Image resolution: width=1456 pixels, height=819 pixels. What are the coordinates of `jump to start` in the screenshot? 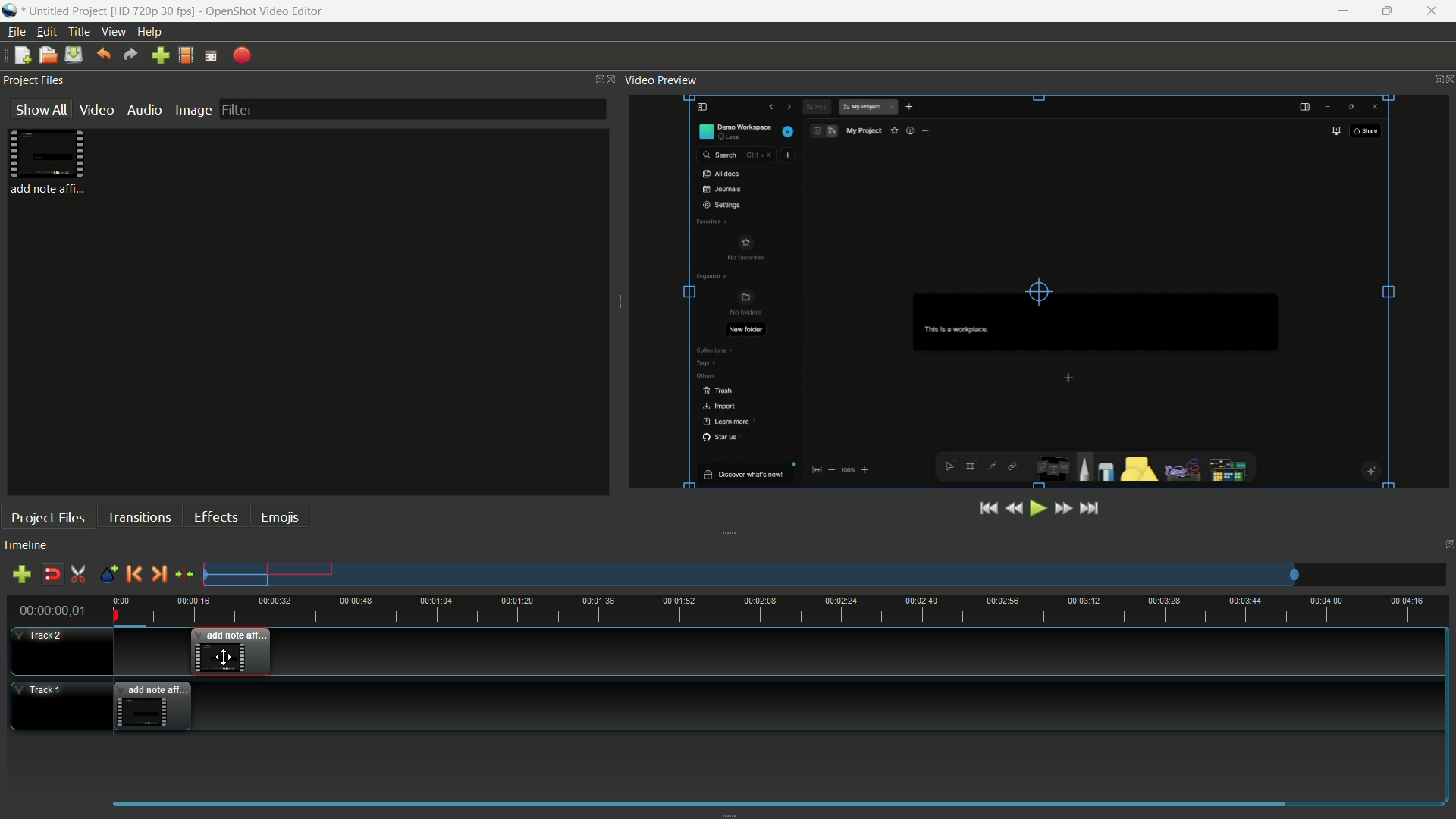 It's located at (987, 510).